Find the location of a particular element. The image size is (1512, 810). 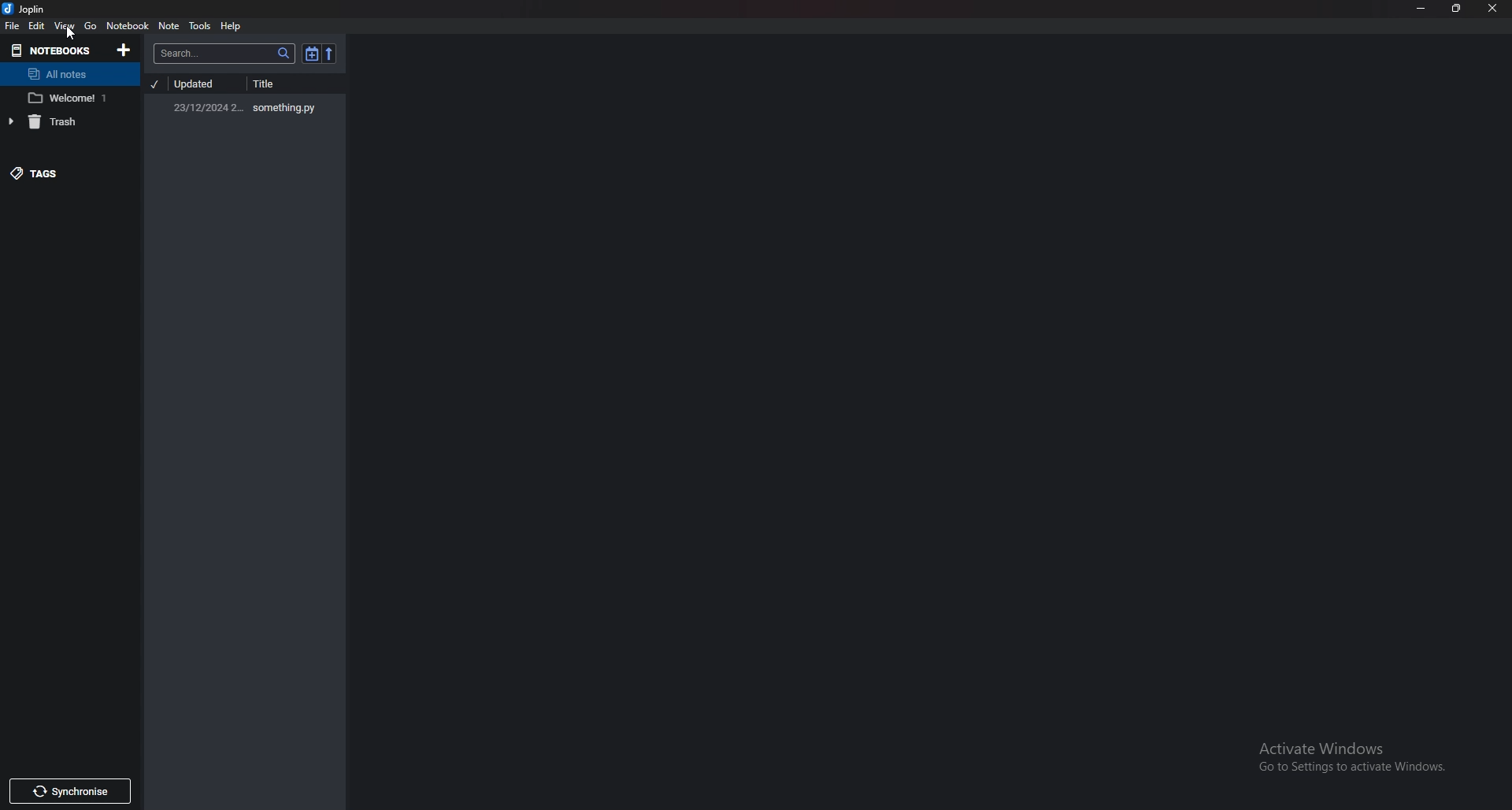

all notes is located at coordinates (68, 72).